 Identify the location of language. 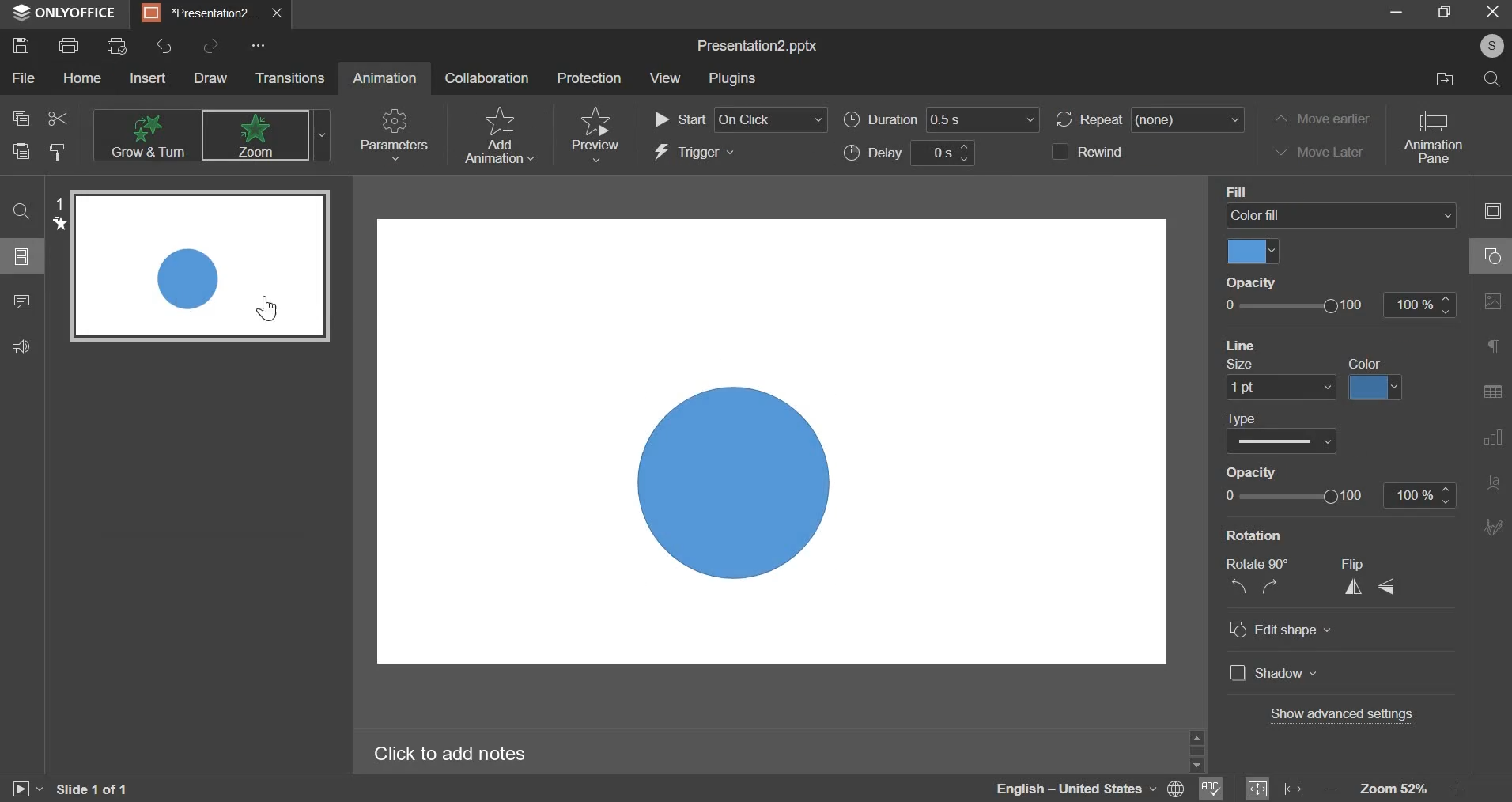
(1090, 789).